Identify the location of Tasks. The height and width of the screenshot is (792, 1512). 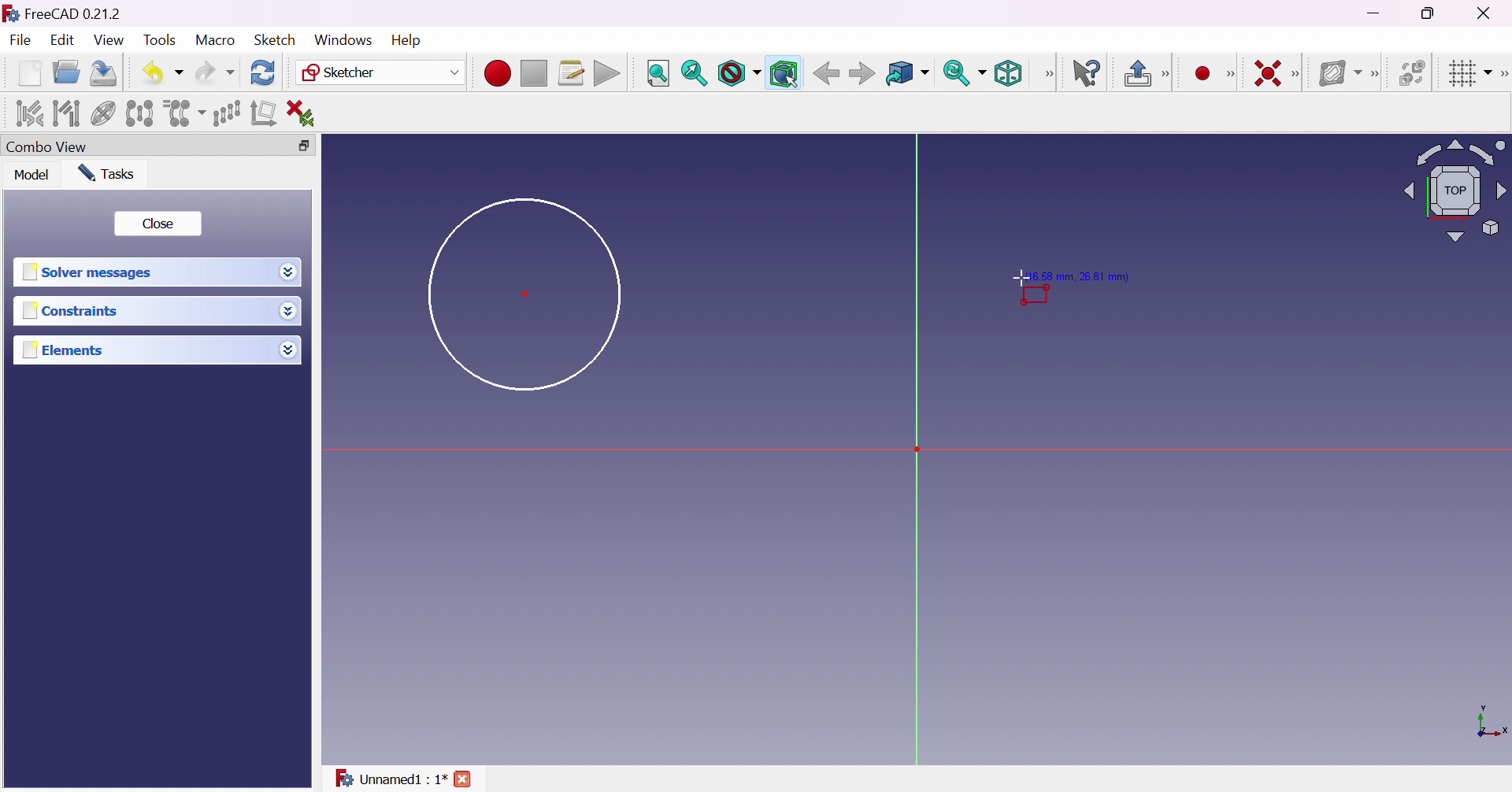
(106, 172).